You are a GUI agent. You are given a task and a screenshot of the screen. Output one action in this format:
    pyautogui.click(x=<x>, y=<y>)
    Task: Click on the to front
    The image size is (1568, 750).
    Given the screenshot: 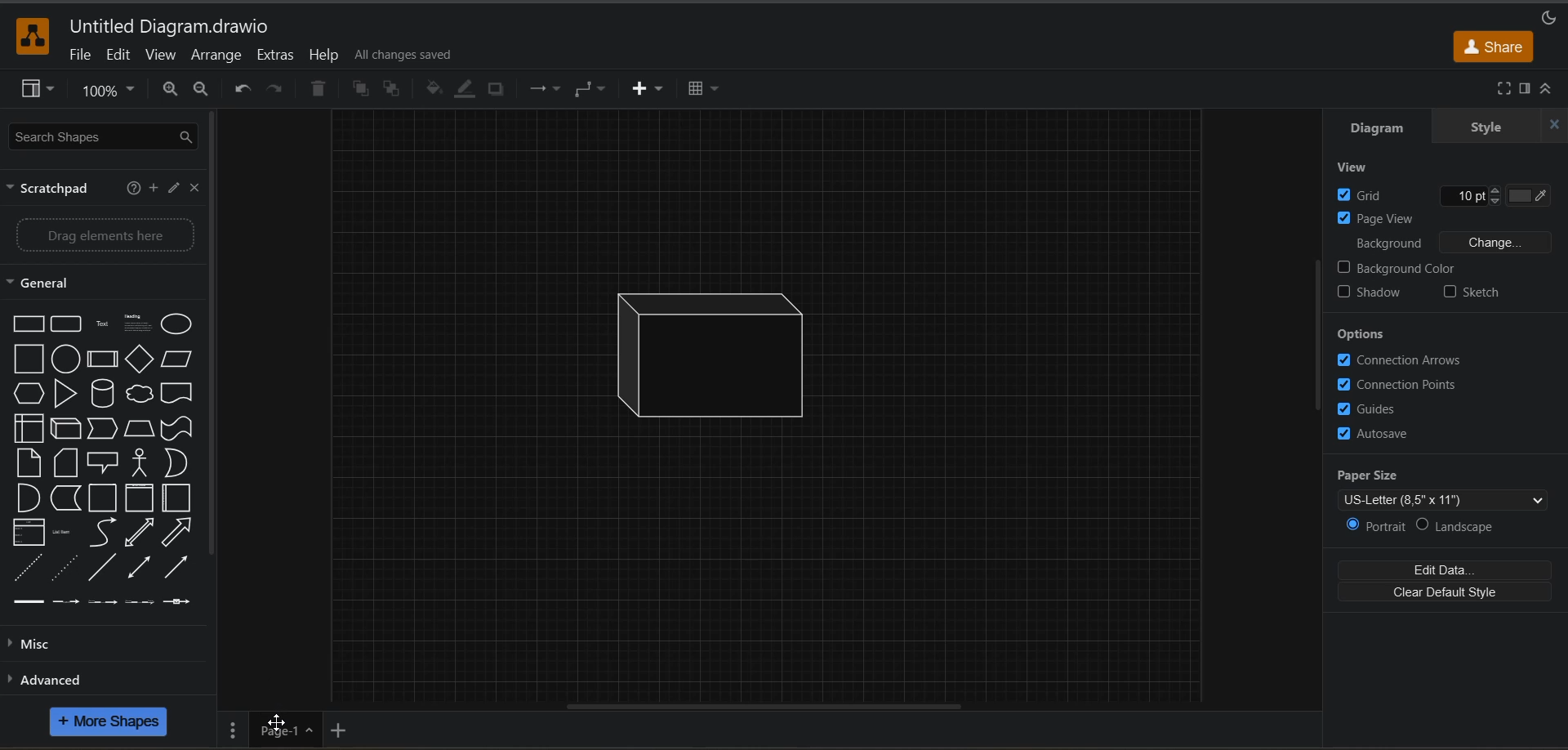 What is the action you would take?
    pyautogui.click(x=362, y=91)
    